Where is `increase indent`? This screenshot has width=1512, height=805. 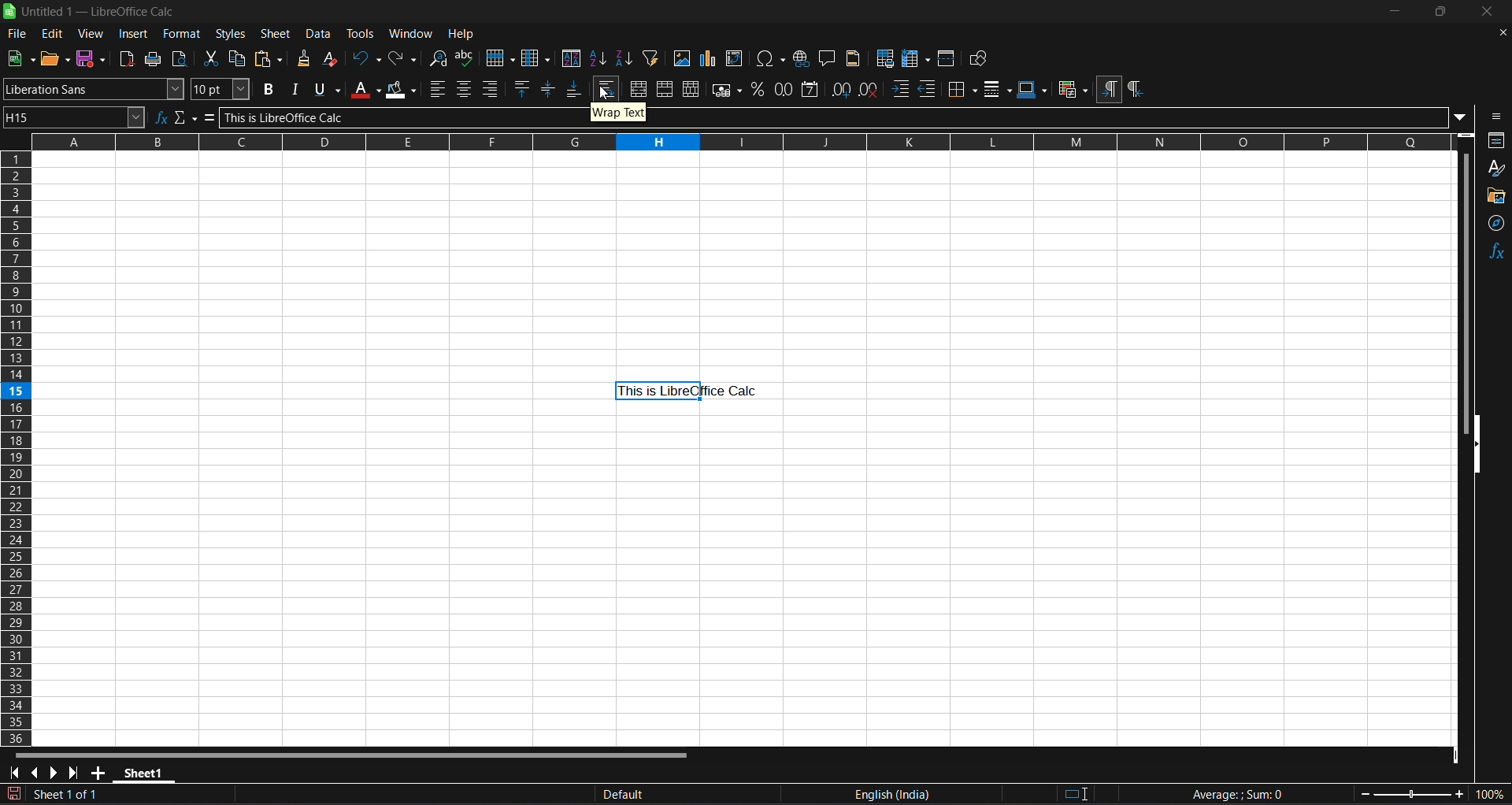
increase indent is located at coordinates (901, 89).